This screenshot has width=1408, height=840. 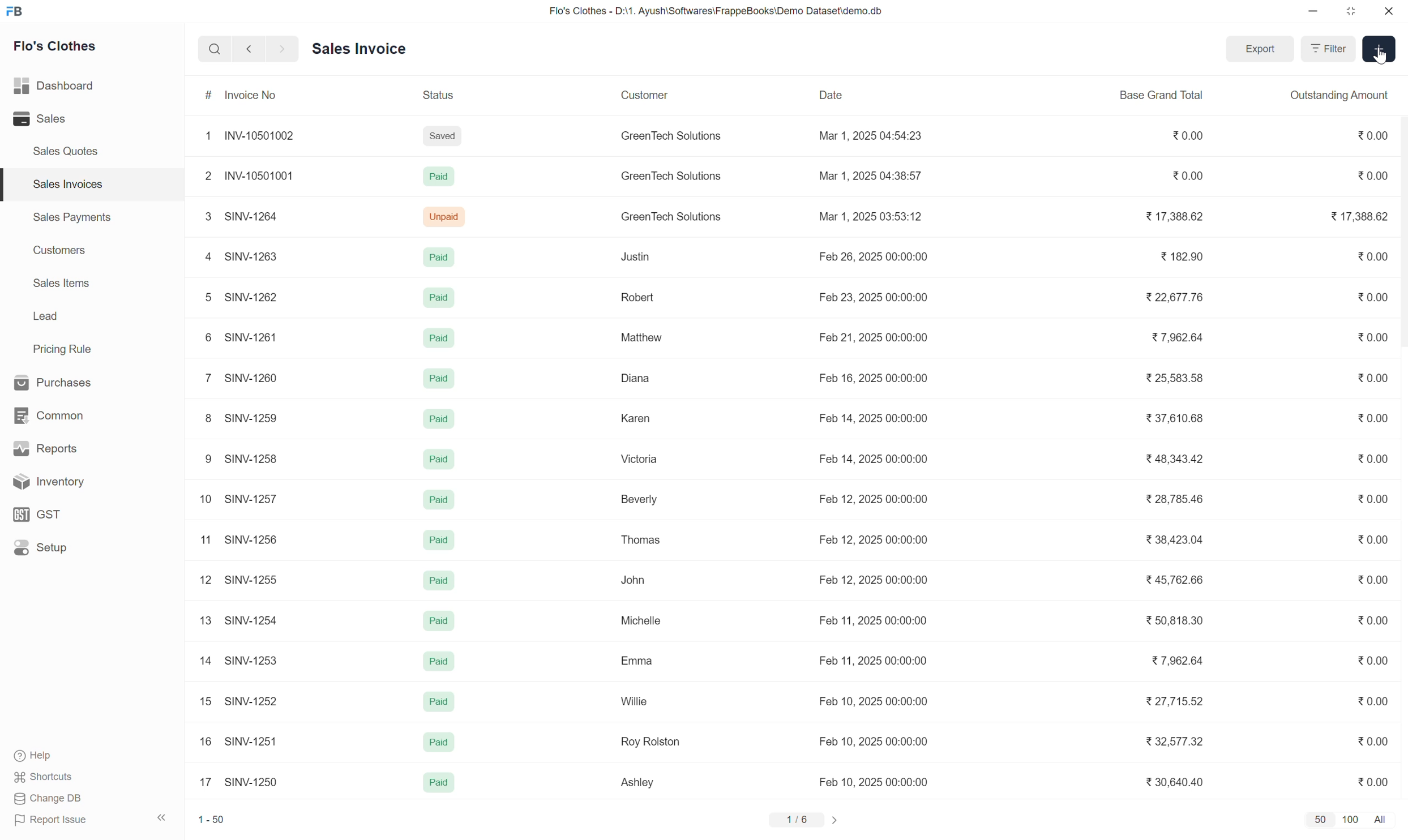 What do you see at coordinates (438, 499) in the screenshot?
I see `Paid` at bounding box center [438, 499].